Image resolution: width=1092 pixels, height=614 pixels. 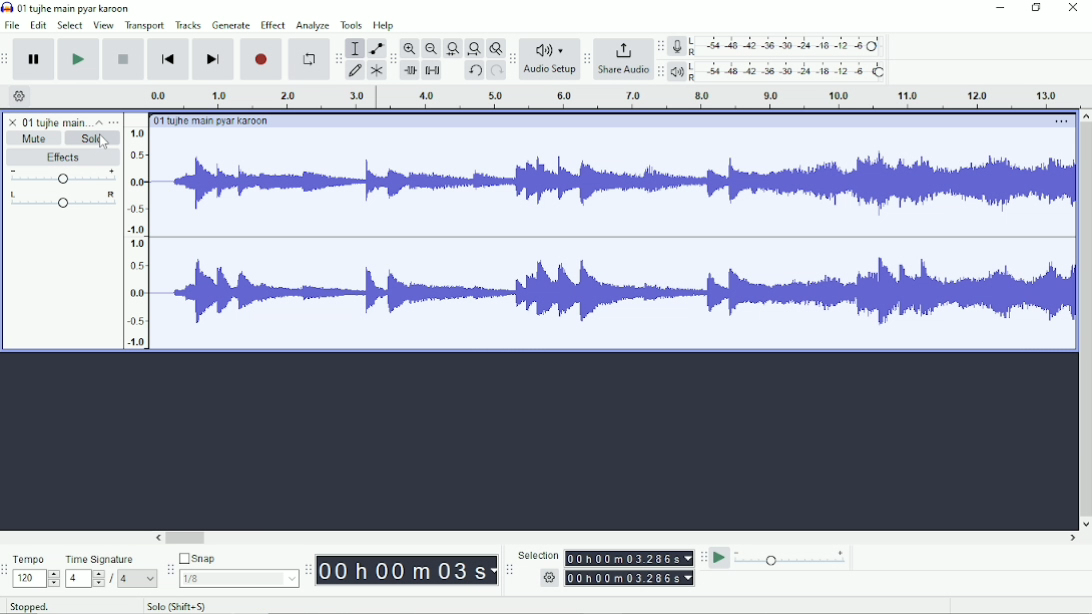 What do you see at coordinates (355, 69) in the screenshot?
I see `Draw tool` at bounding box center [355, 69].